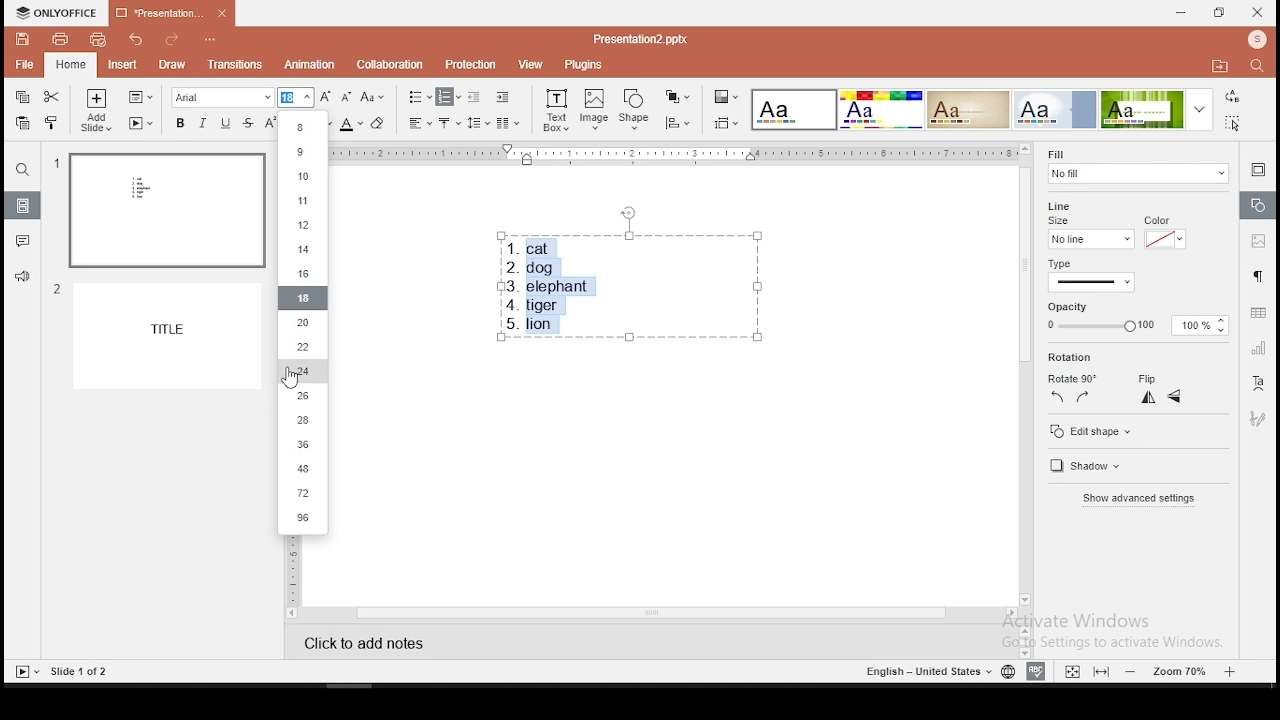 This screenshot has width=1280, height=720. What do you see at coordinates (50, 98) in the screenshot?
I see `cut` at bounding box center [50, 98].